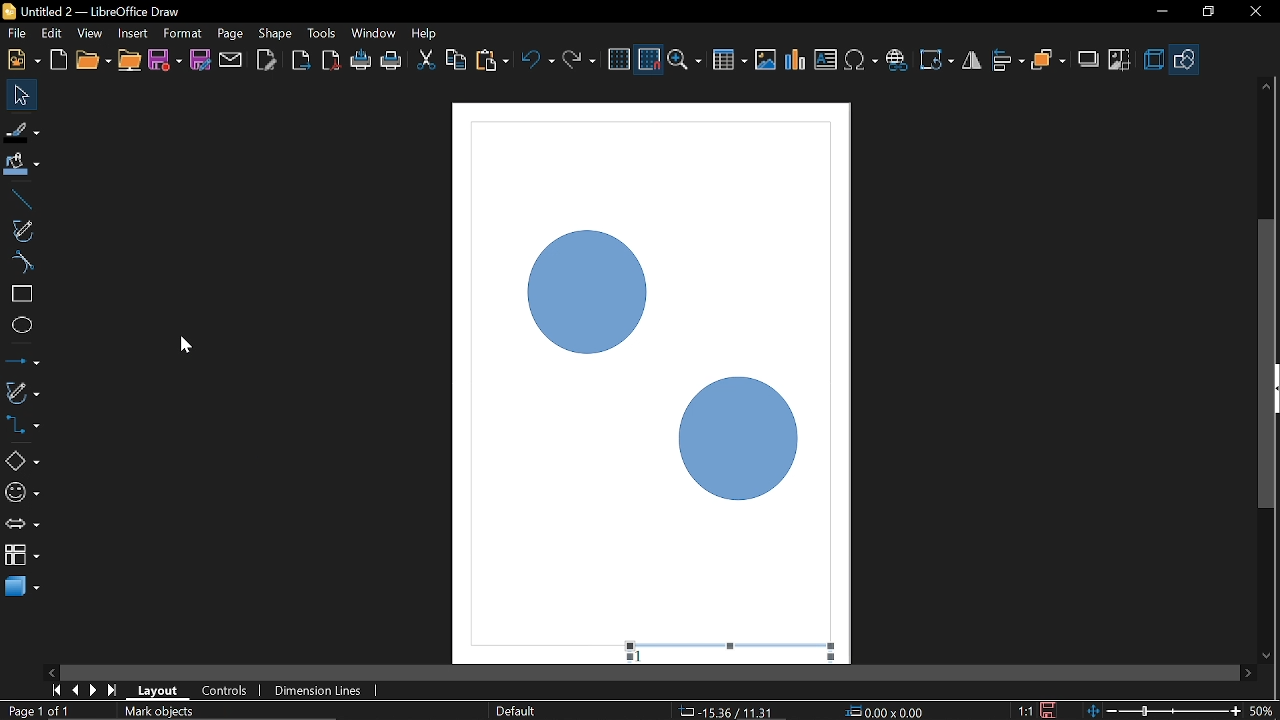  Describe the element at coordinates (58, 689) in the screenshot. I see `go to first page` at that location.